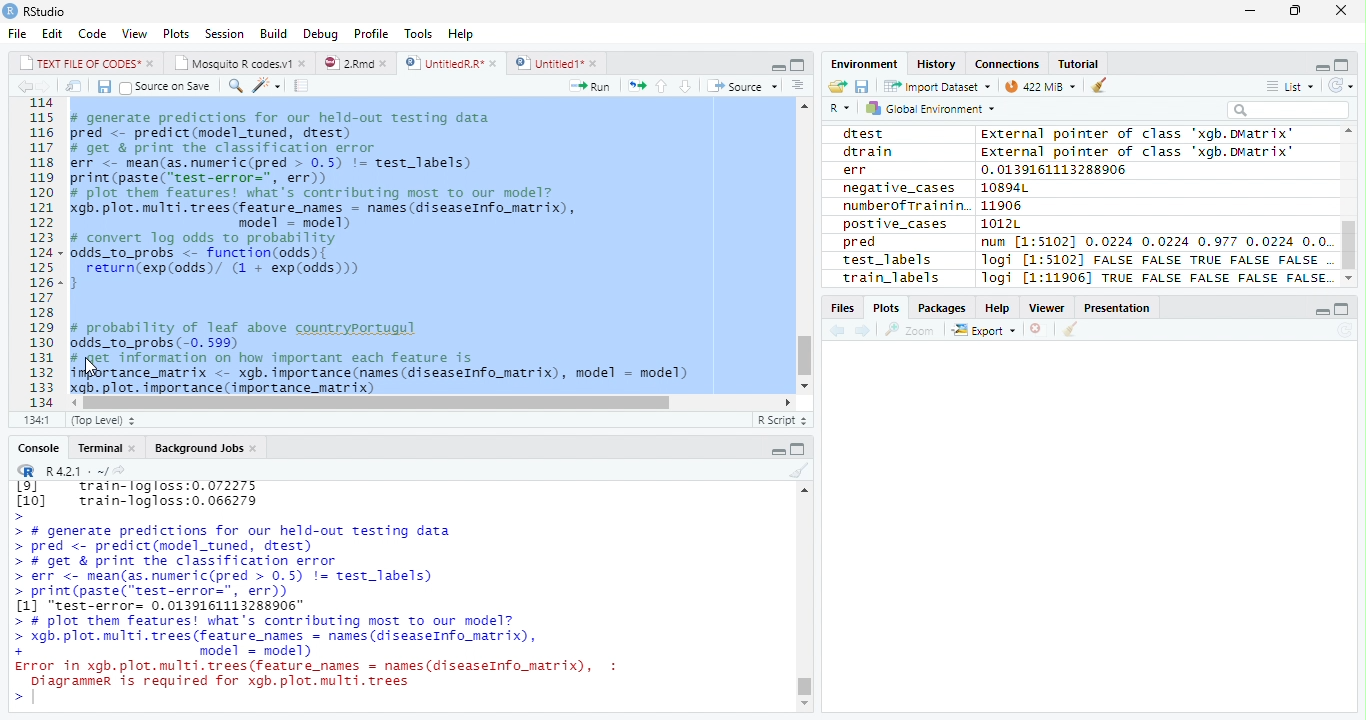 This screenshot has height=720, width=1366. What do you see at coordinates (206, 447) in the screenshot?
I see `Background Jobs` at bounding box center [206, 447].